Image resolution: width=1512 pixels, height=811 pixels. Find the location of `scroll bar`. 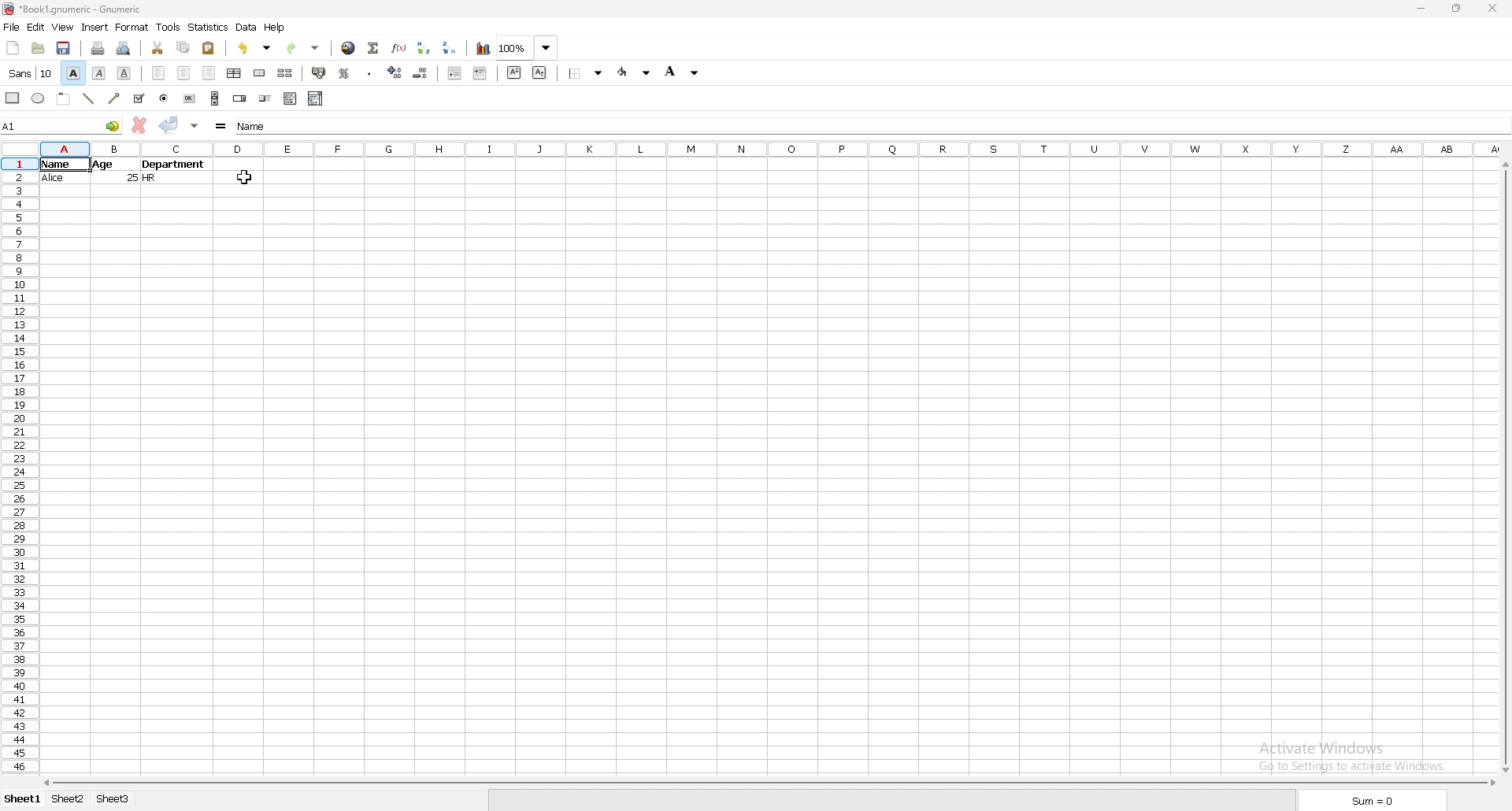

scroll bar is located at coordinates (1504, 468).